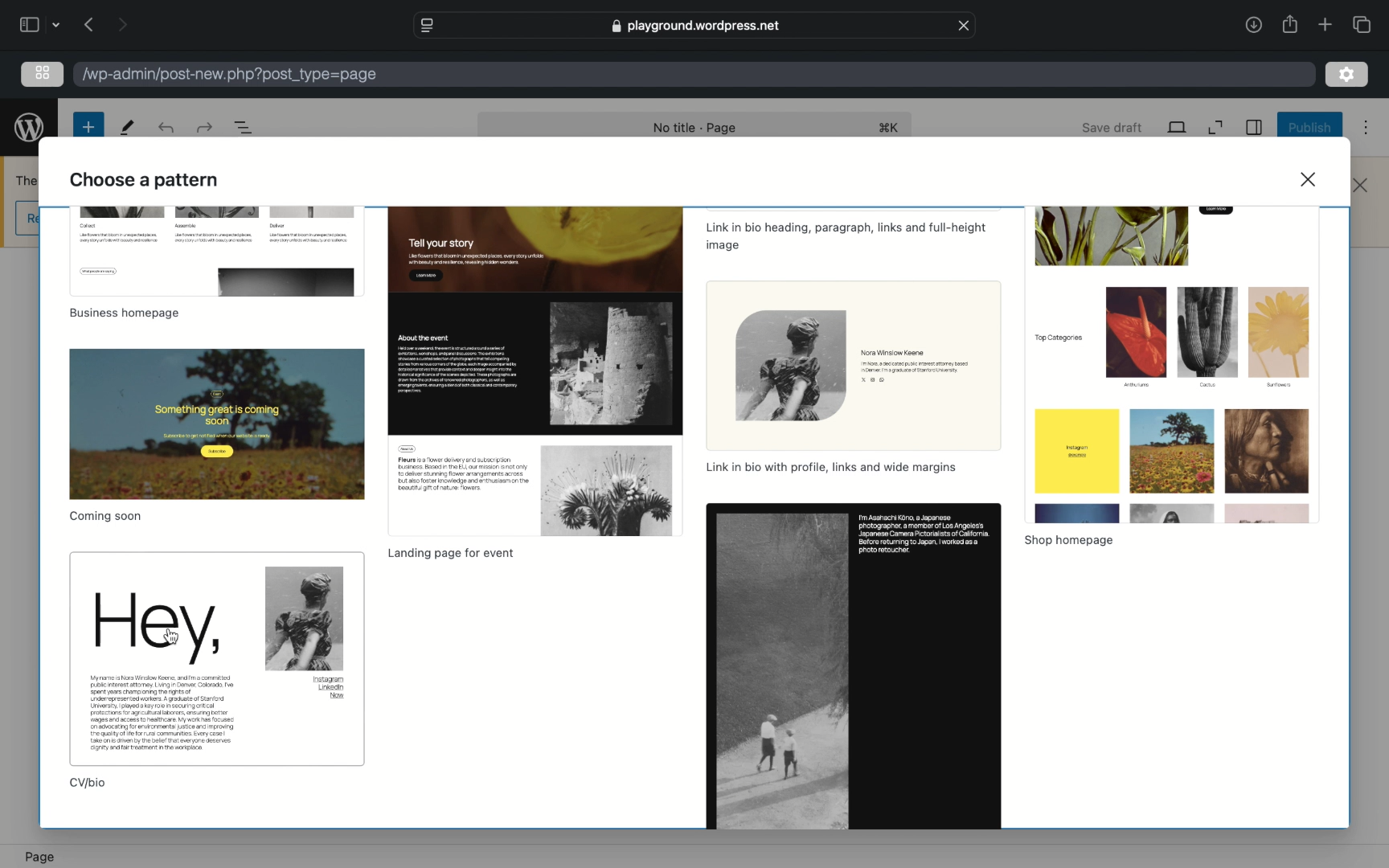 Image resolution: width=1389 pixels, height=868 pixels. Describe the element at coordinates (215, 252) in the screenshot. I see `preview` at that location.